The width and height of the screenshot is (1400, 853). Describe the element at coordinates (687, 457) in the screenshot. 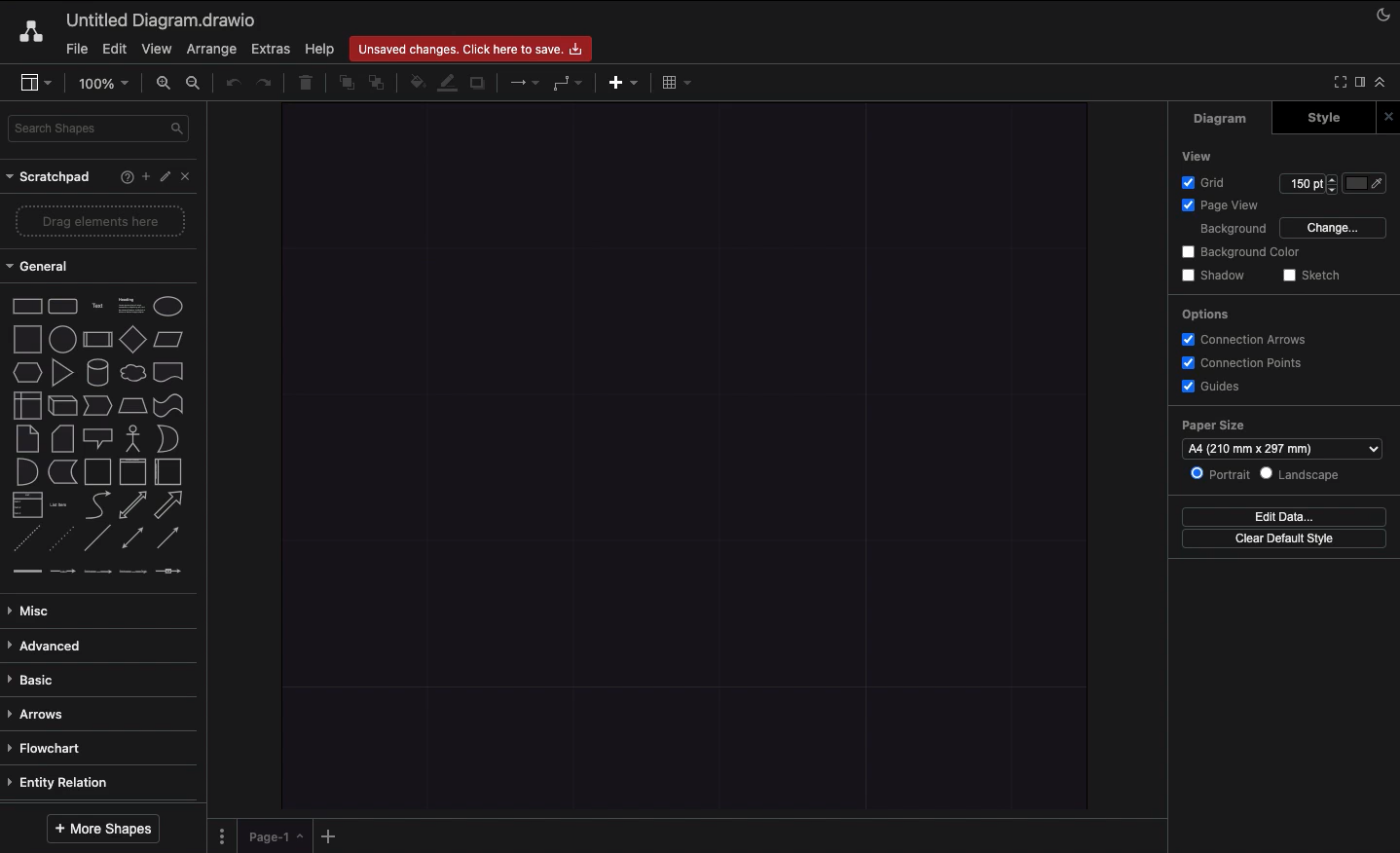

I see `Changed` at that location.